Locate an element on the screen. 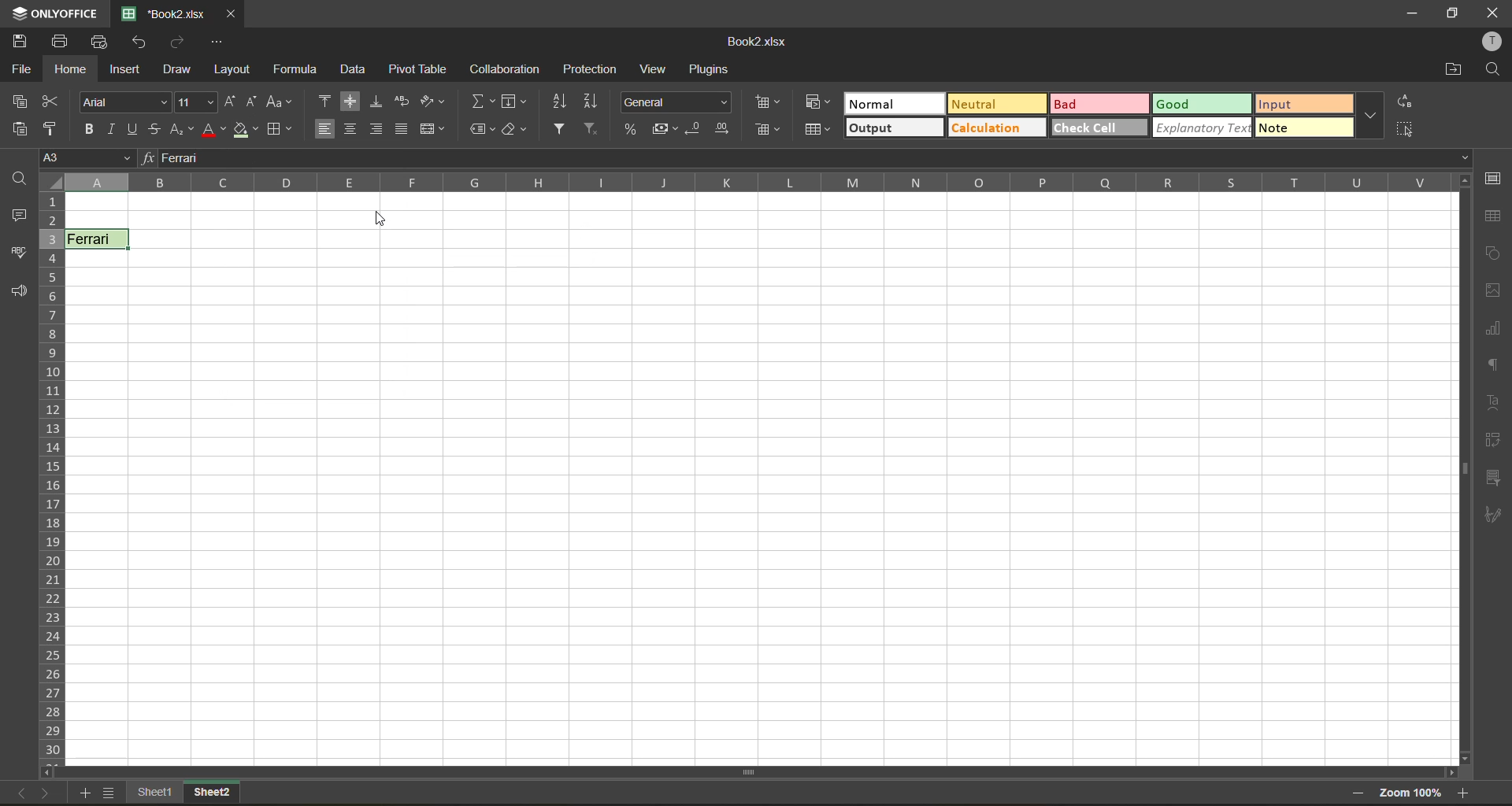 The width and height of the screenshot is (1512, 806). formula is located at coordinates (294, 68).